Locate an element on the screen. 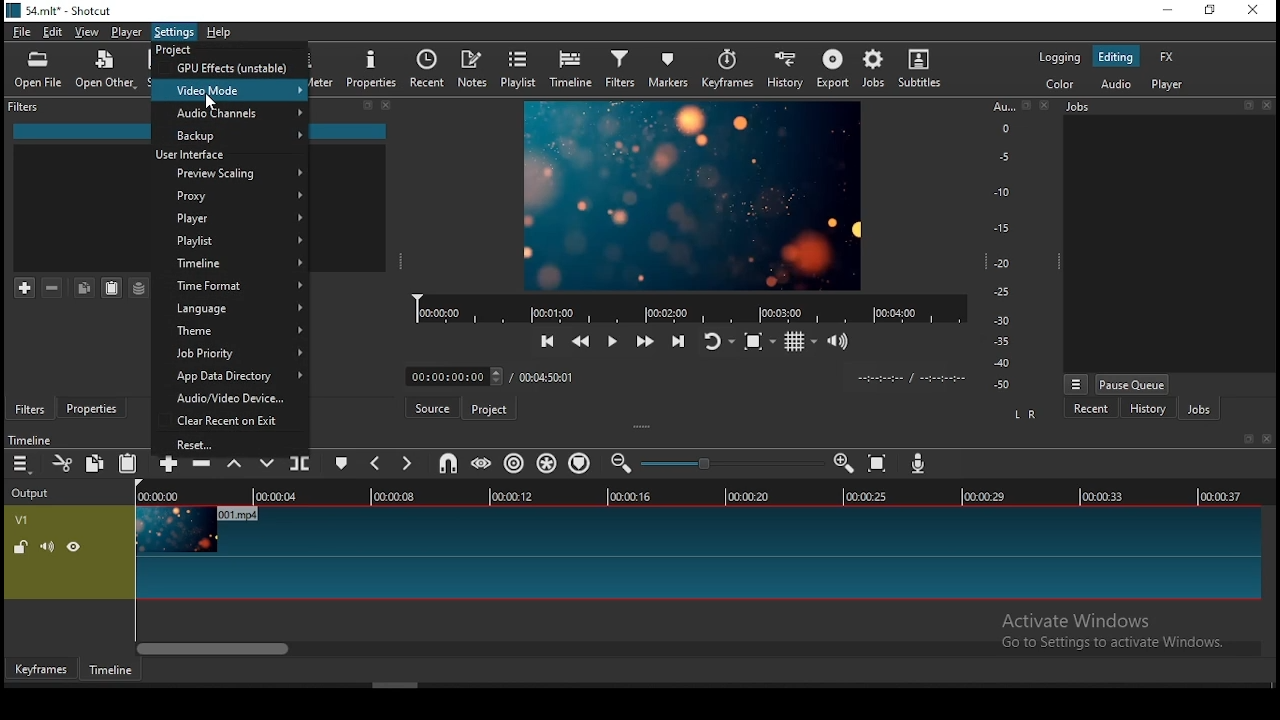 The image size is (1280, 720). unlock is located at coordinates (23, 548).